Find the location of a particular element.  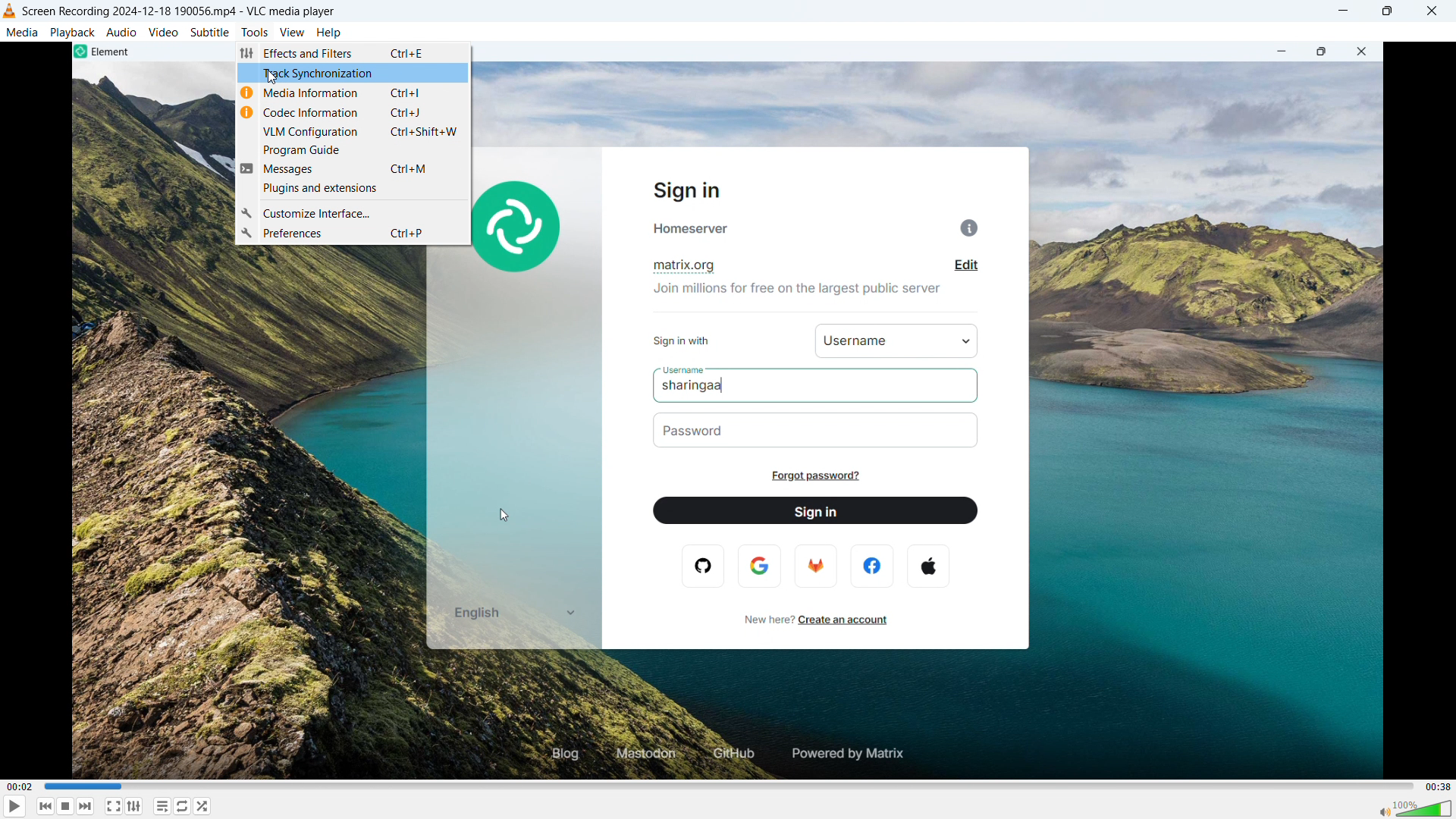

blog is located at coordinates (570, 758).